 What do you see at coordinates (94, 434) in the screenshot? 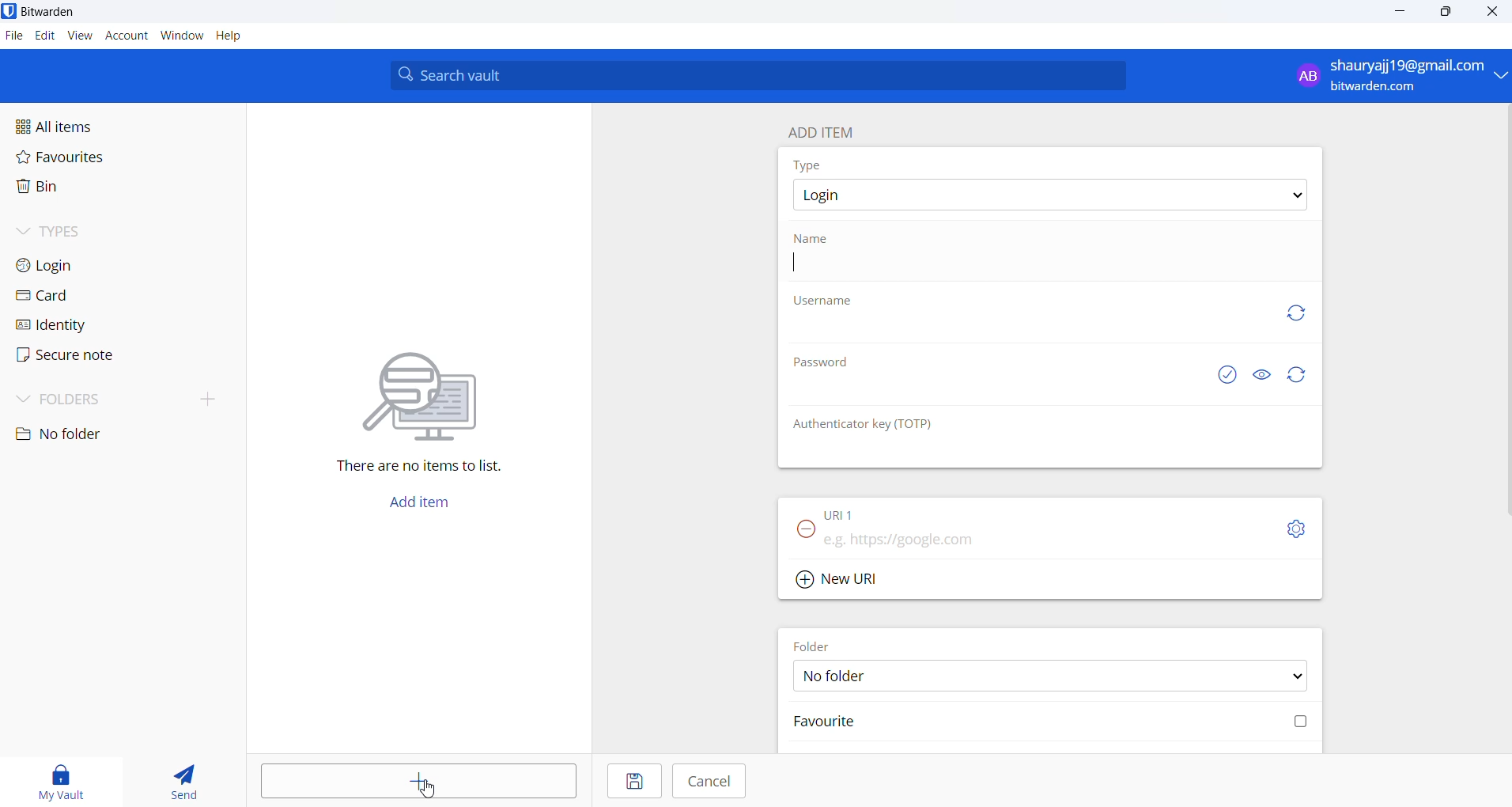
I see `no folder` at bounding box center [94, 434].